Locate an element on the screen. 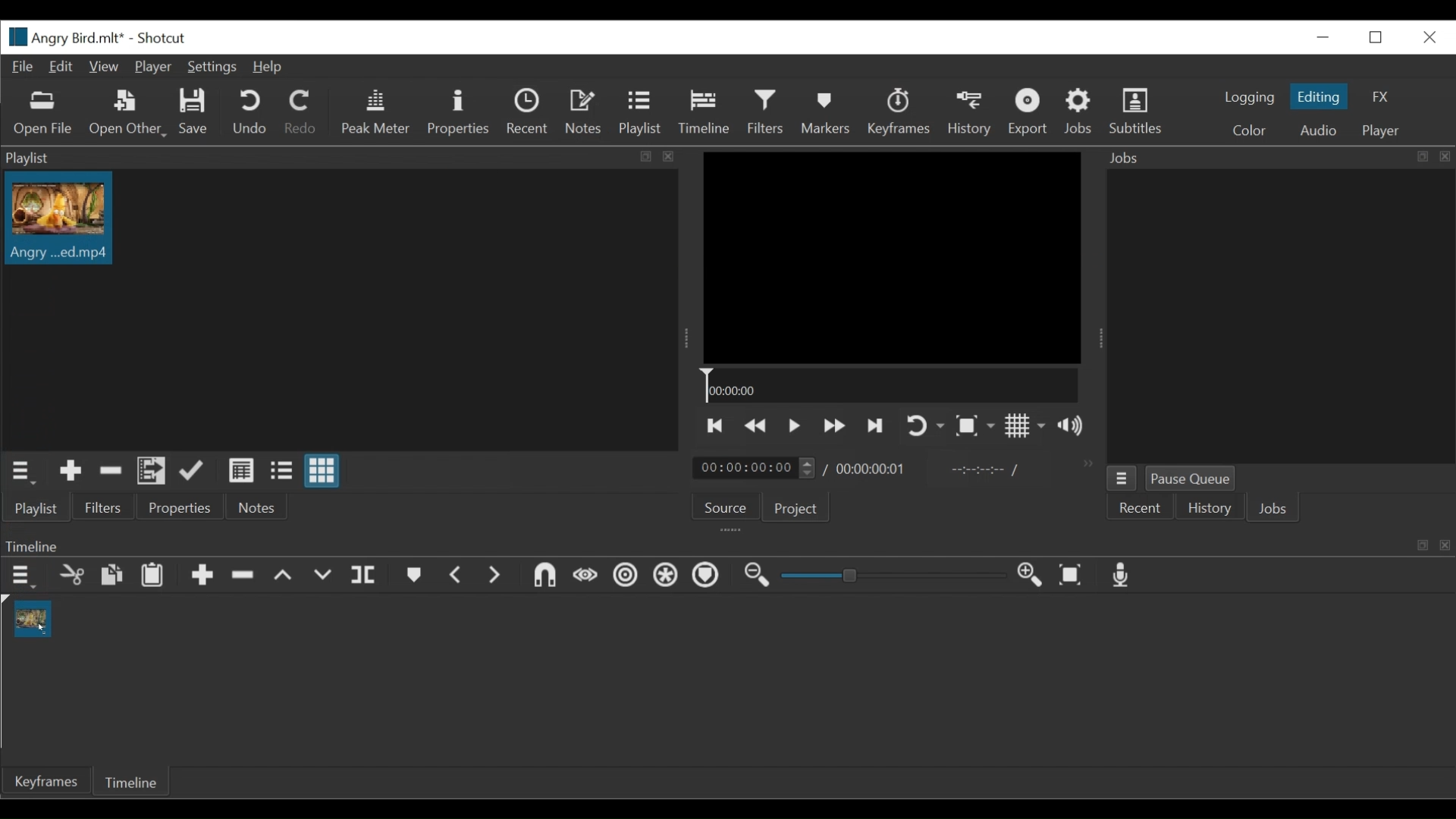  next is located at coordinates (498, 578).